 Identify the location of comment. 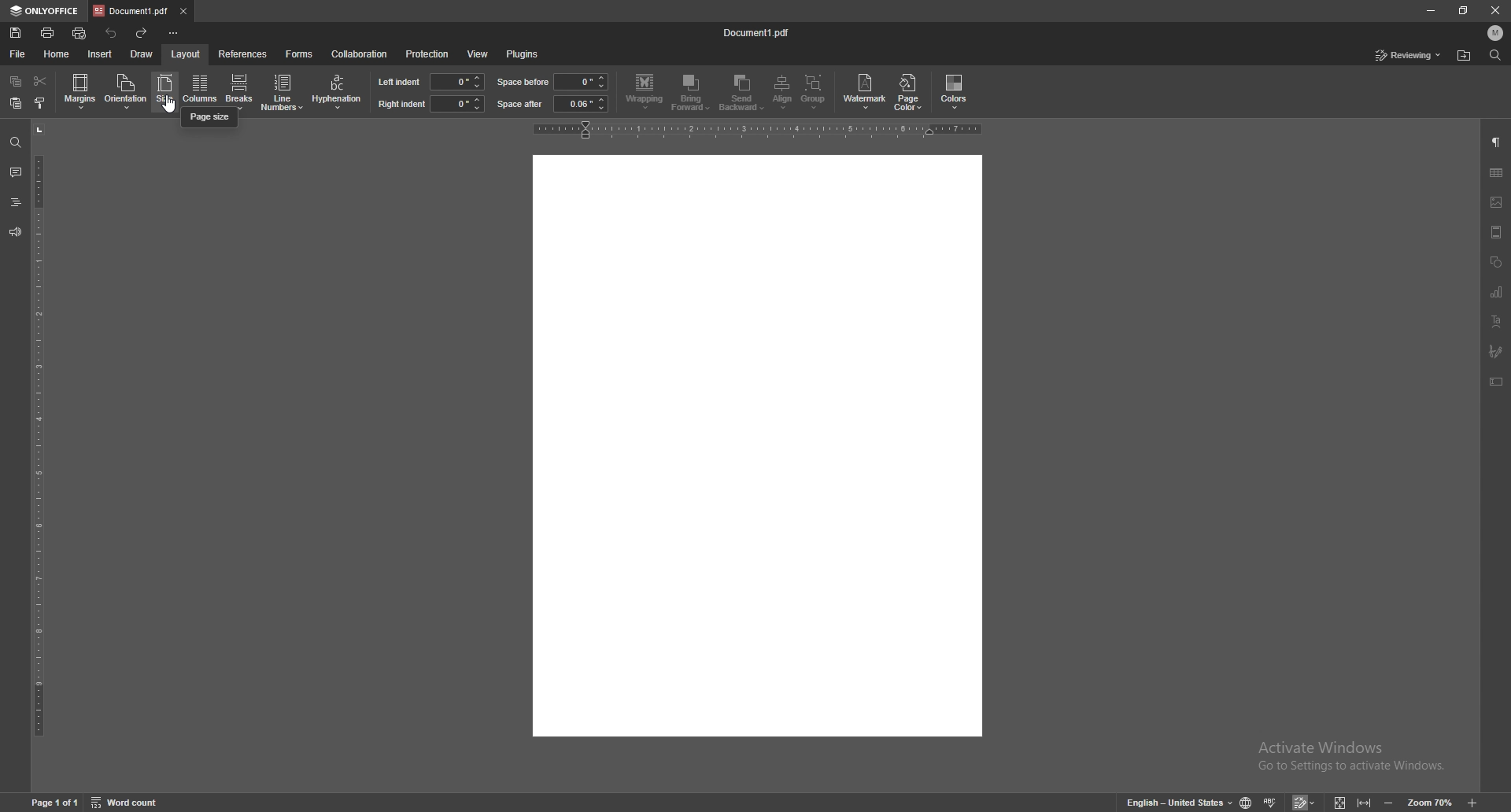
(16, 173).